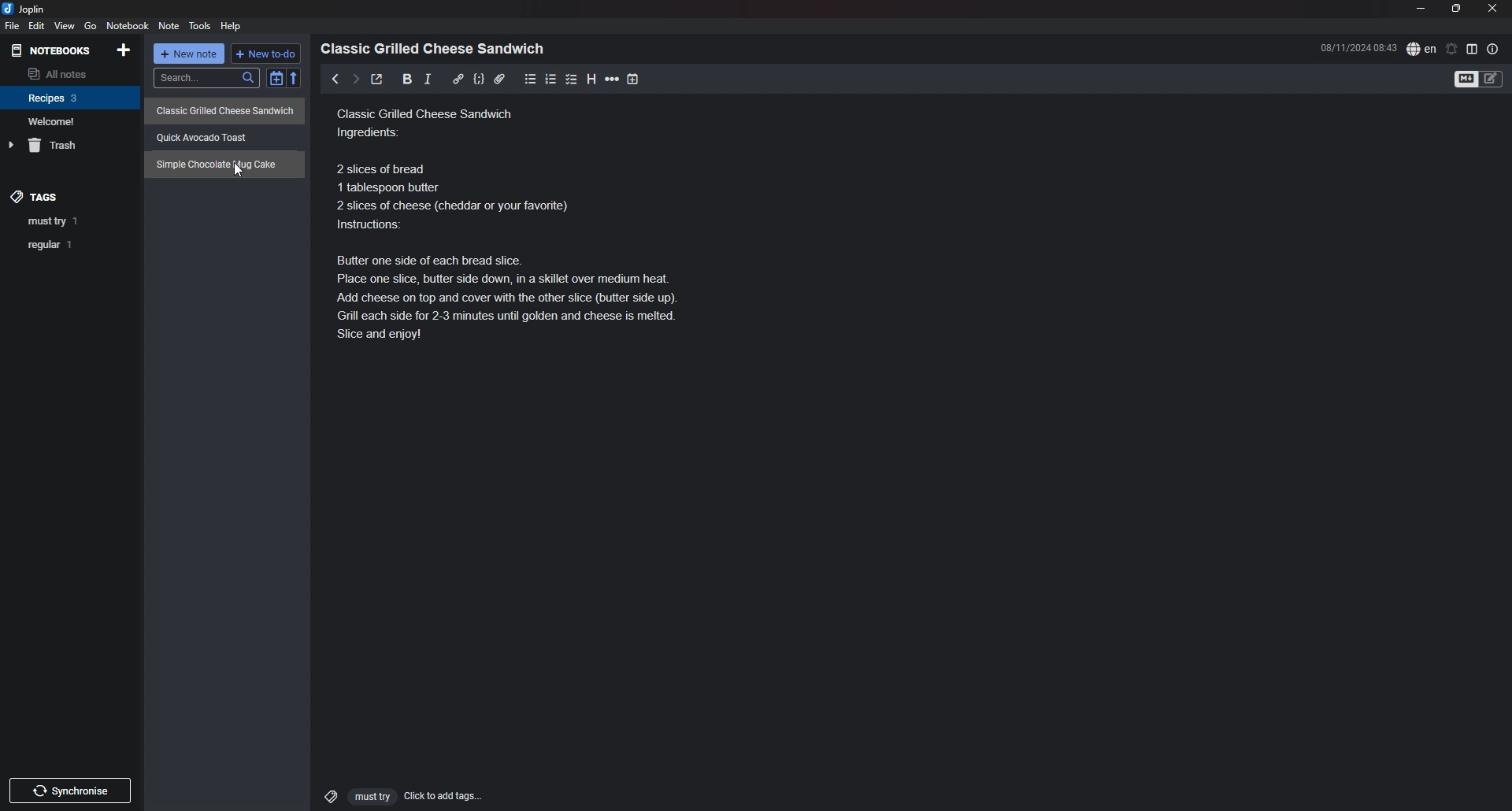  Describe the element at coordinates (64, 26) in the screenshot. I see `view` at that location.